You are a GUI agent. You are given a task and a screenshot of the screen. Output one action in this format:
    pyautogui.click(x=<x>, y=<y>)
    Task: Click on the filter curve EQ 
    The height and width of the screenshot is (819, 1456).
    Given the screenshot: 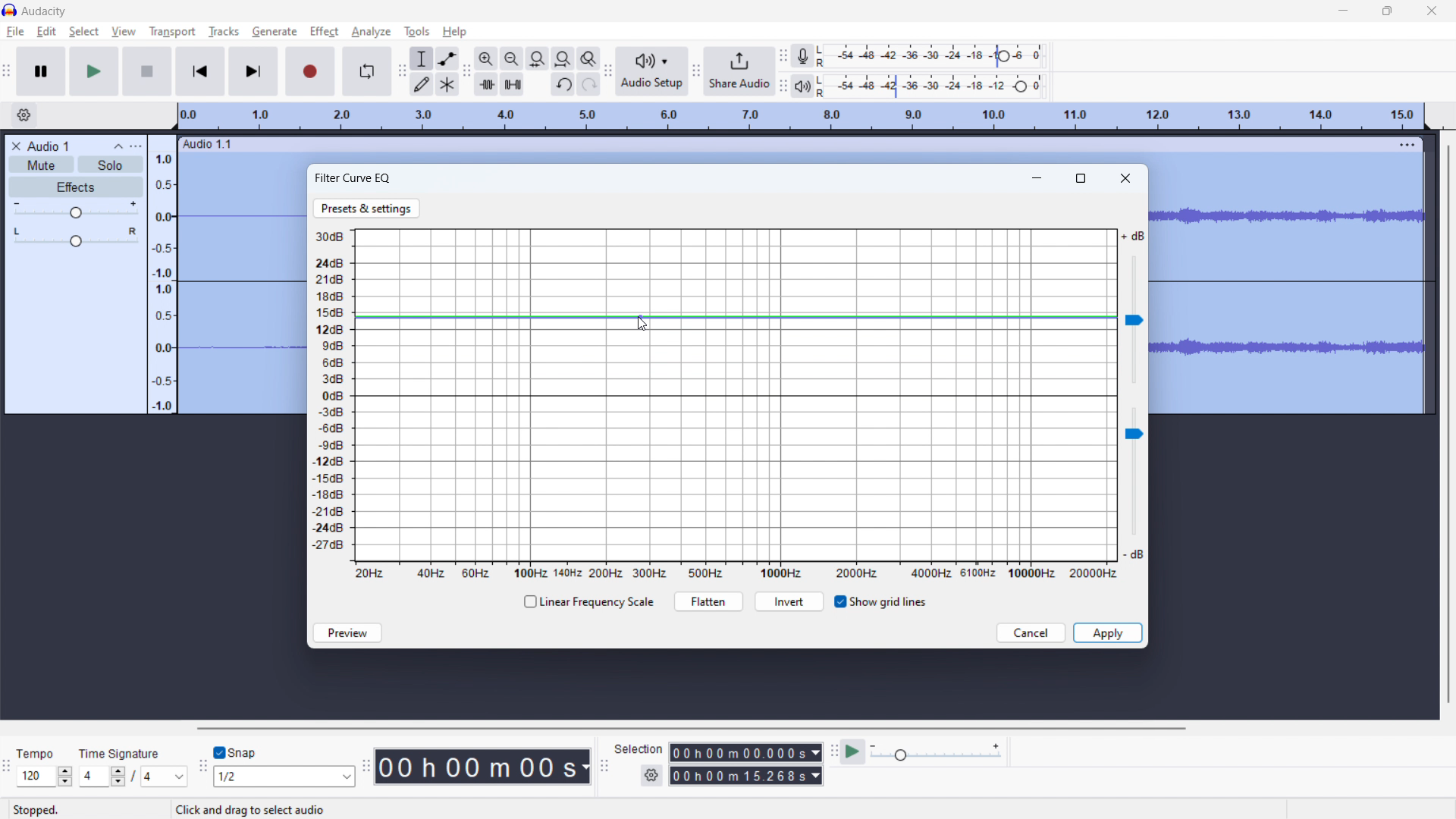 What is the action you would take?
    pyautogui.click(x=353, y=178)
    